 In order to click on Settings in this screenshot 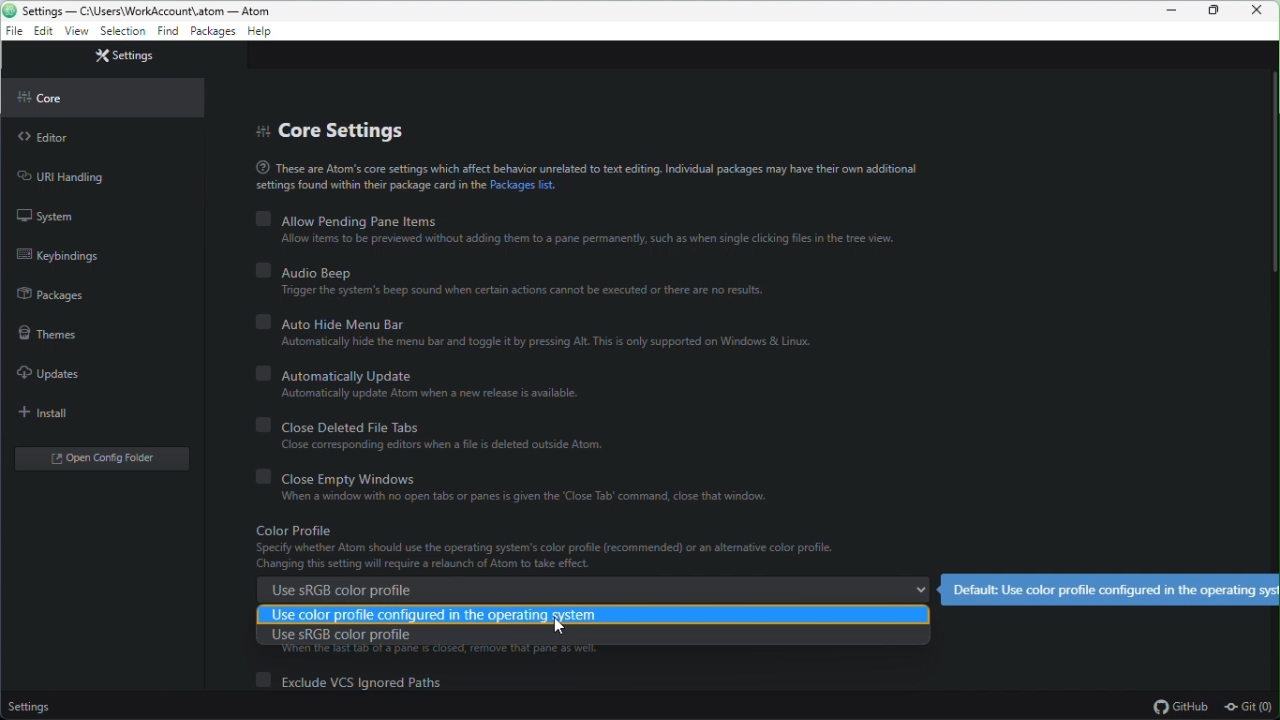, I will do `click(30, 709)`.